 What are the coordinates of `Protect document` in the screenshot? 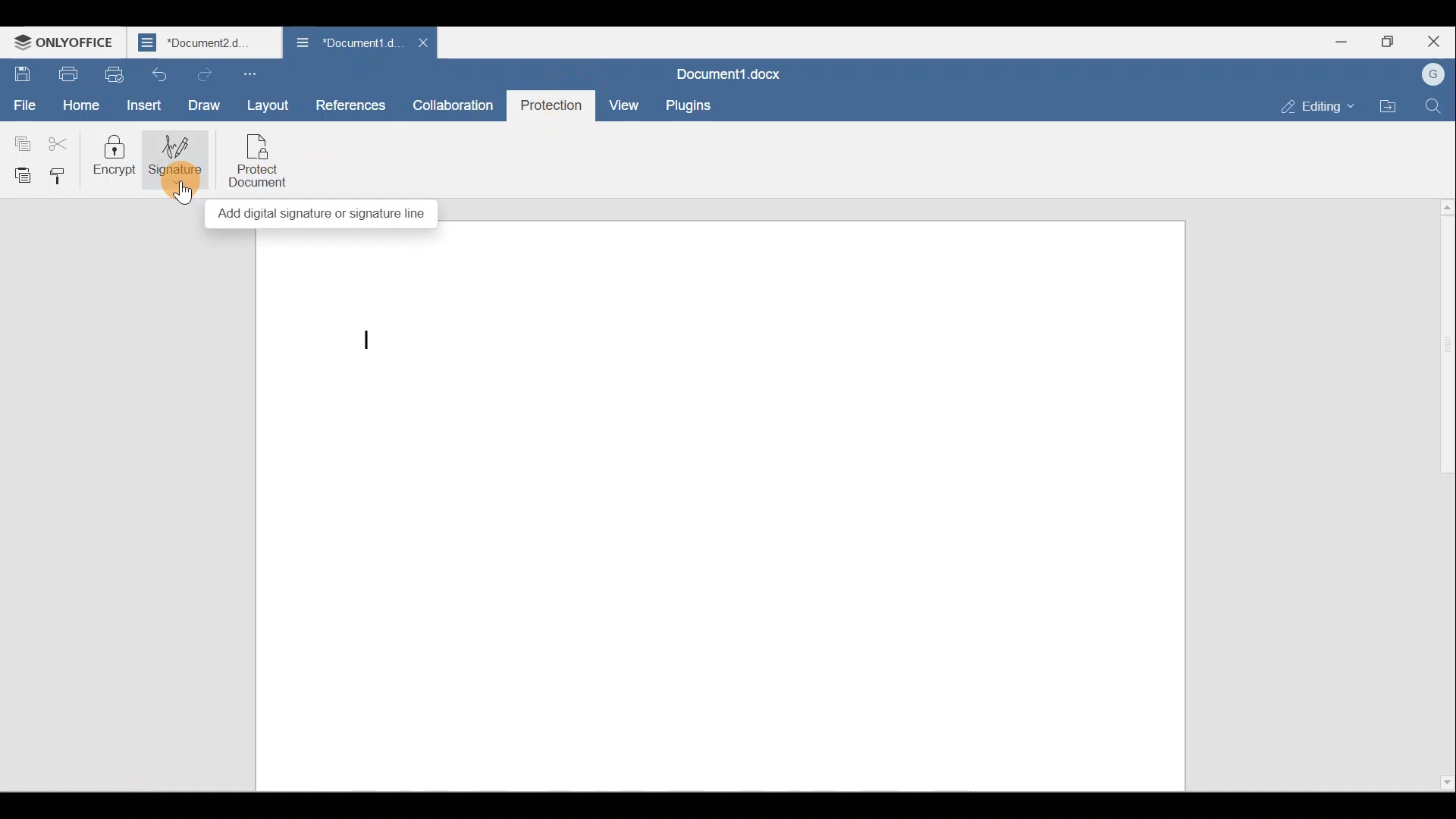 It's located at (259, 158).